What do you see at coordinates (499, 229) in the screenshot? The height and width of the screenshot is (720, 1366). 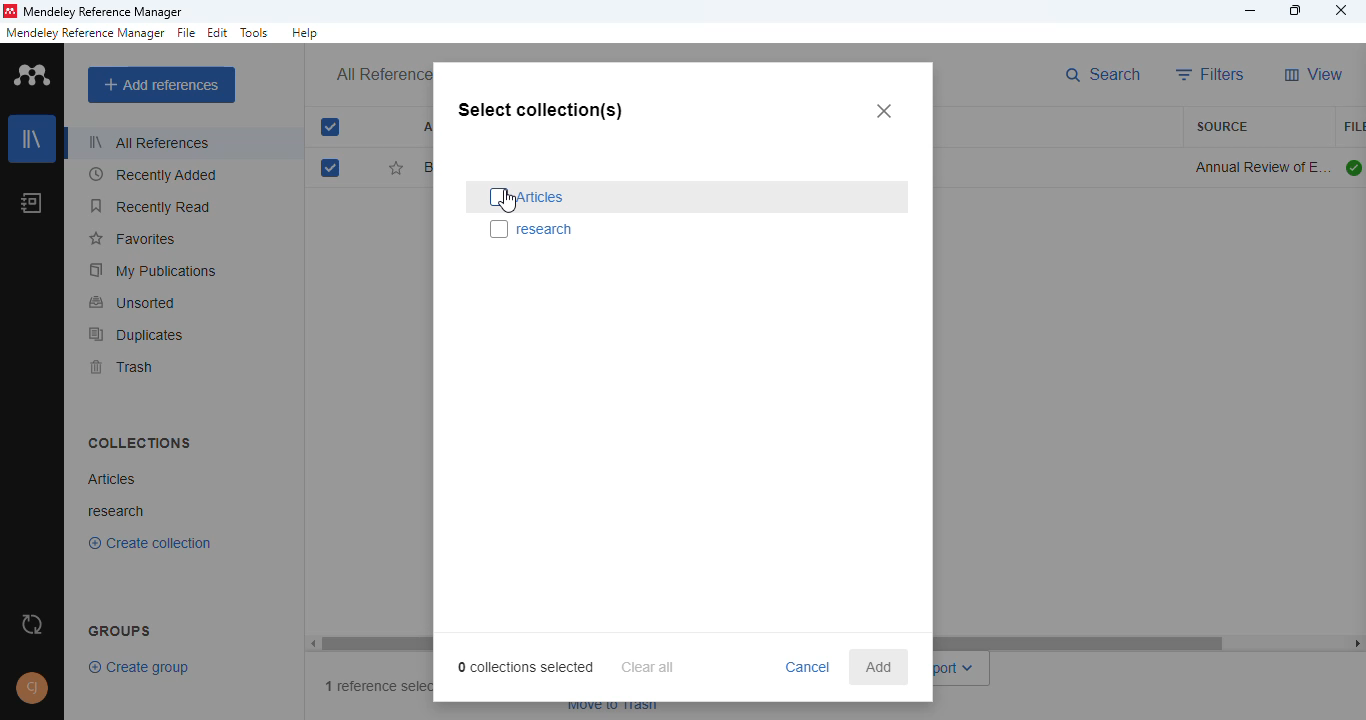 I see `select` at bounding box center [499, 229].